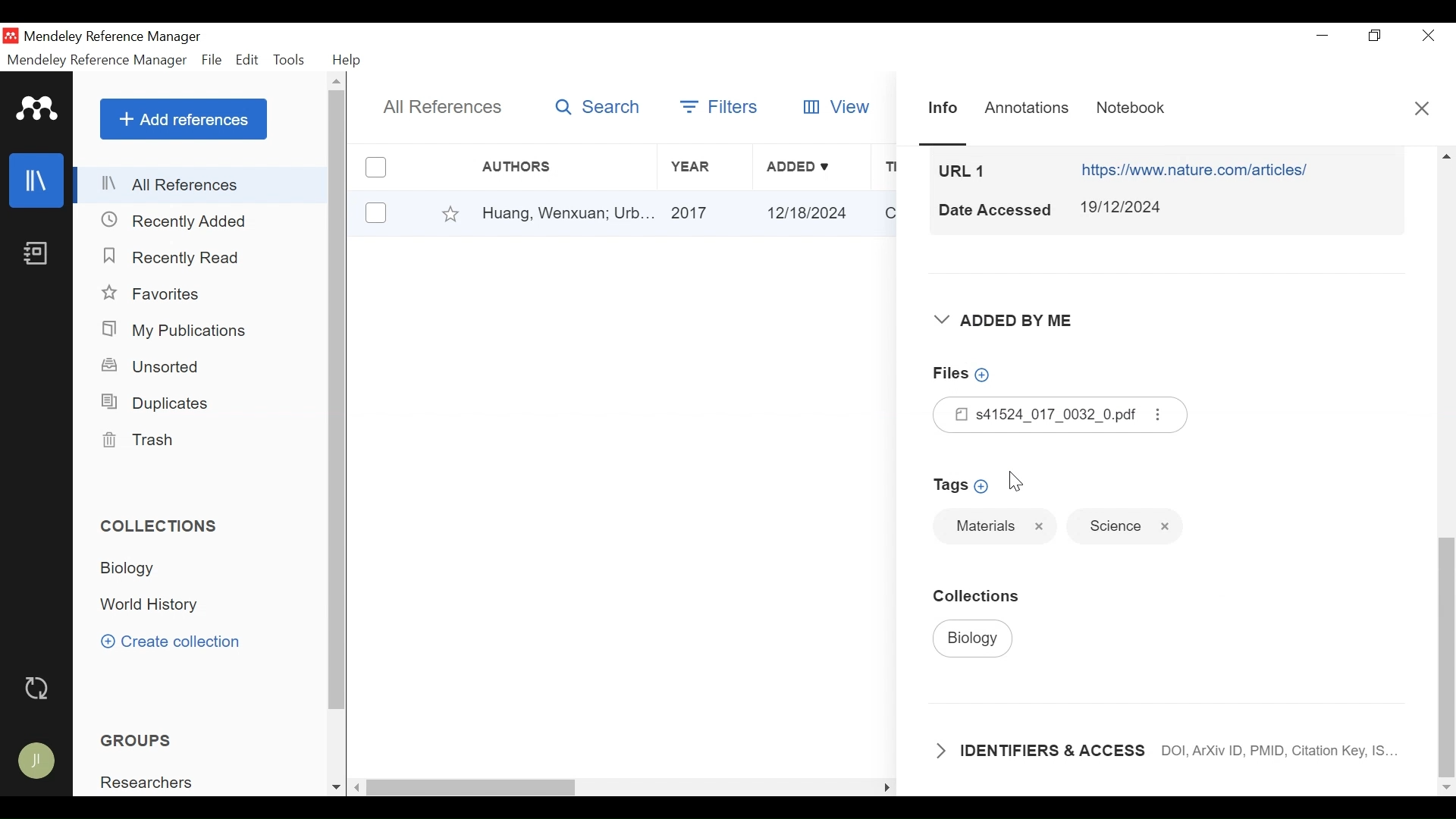  Describe the element at coordinates (11, 36) in the screenshot. I see `Mendeley Desktop Icon` at that location.